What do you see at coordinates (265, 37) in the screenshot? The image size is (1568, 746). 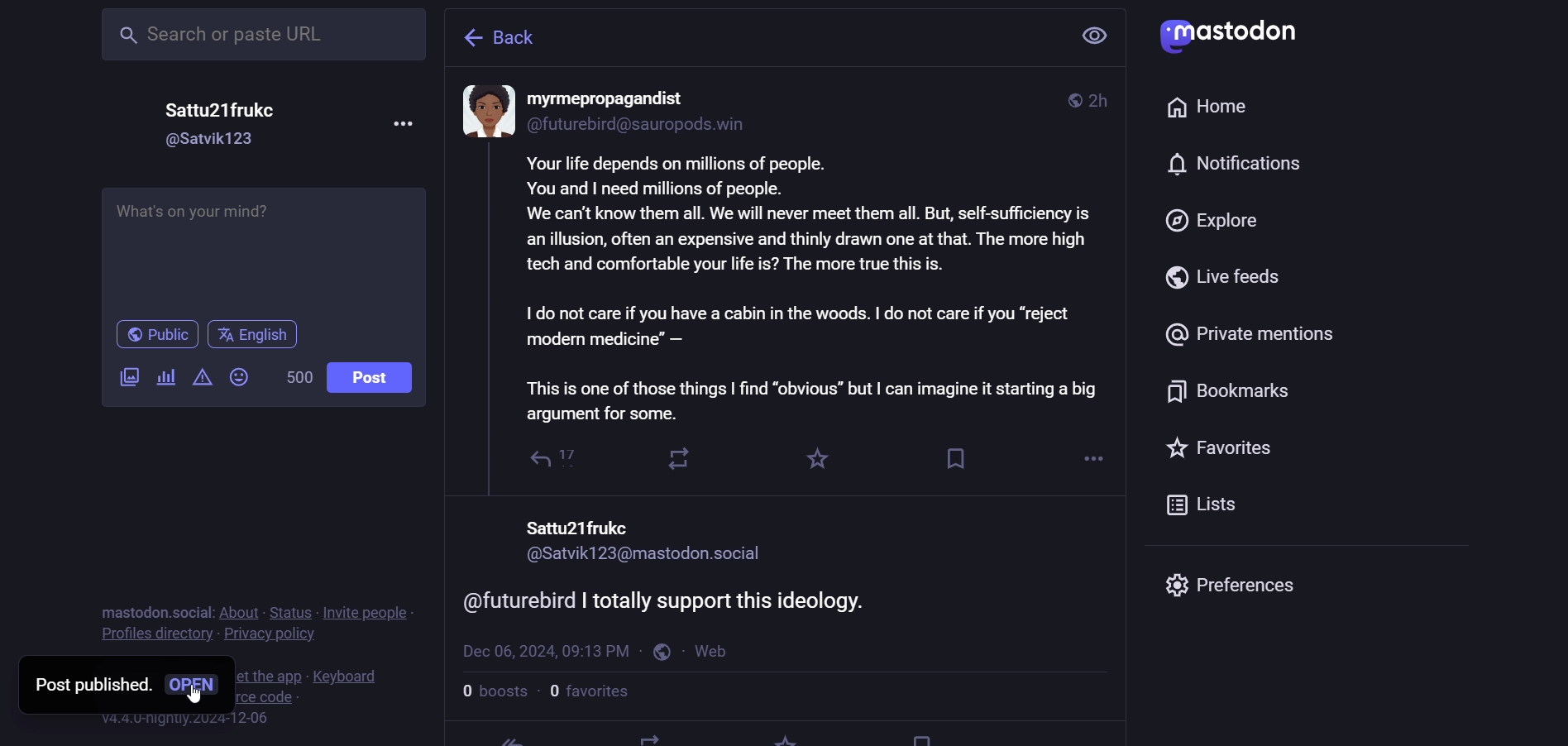 I see `search` at bounding box center [265, 37].